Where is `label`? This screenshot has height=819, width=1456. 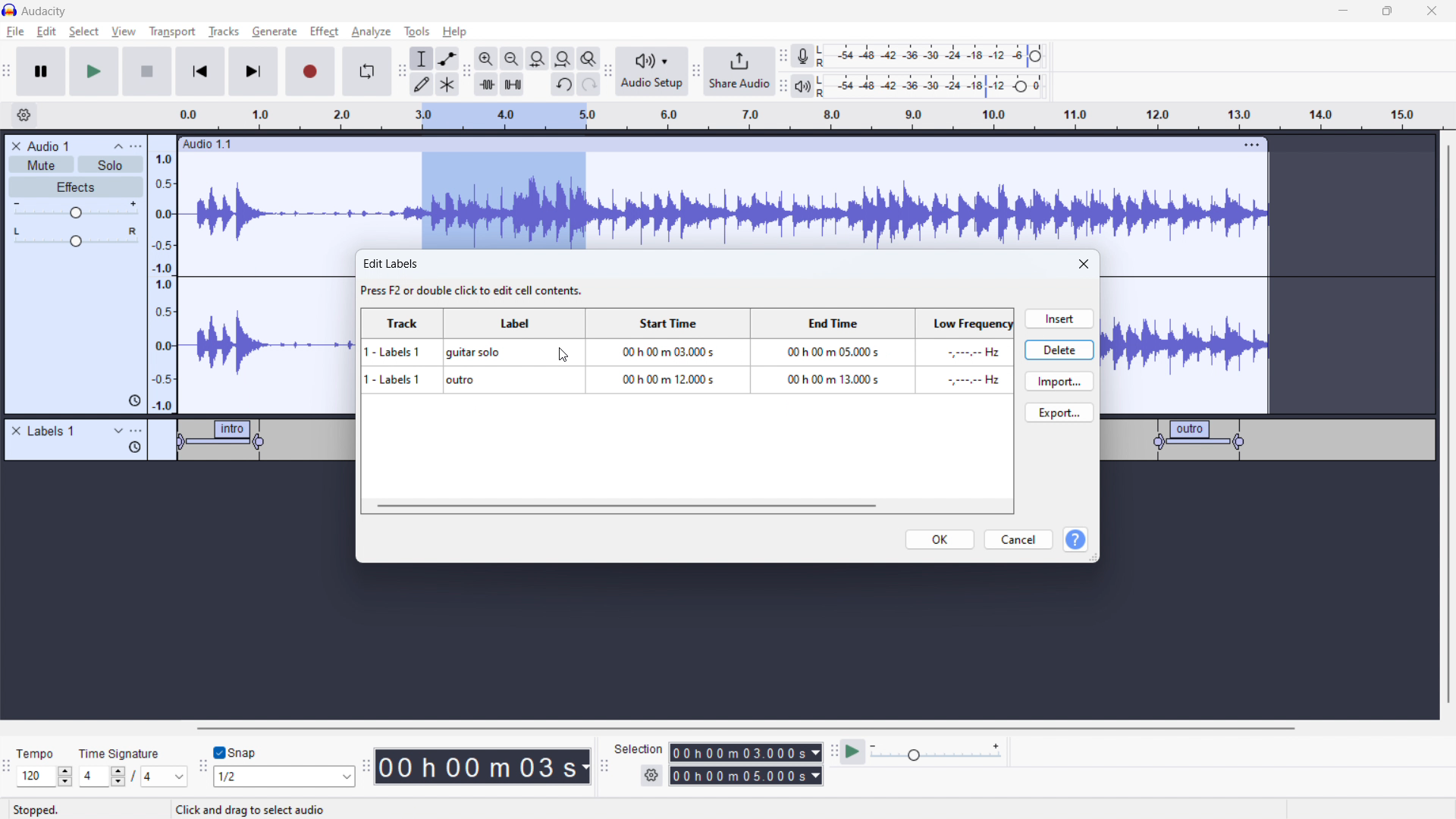
label is located at coordinates (515, 364).